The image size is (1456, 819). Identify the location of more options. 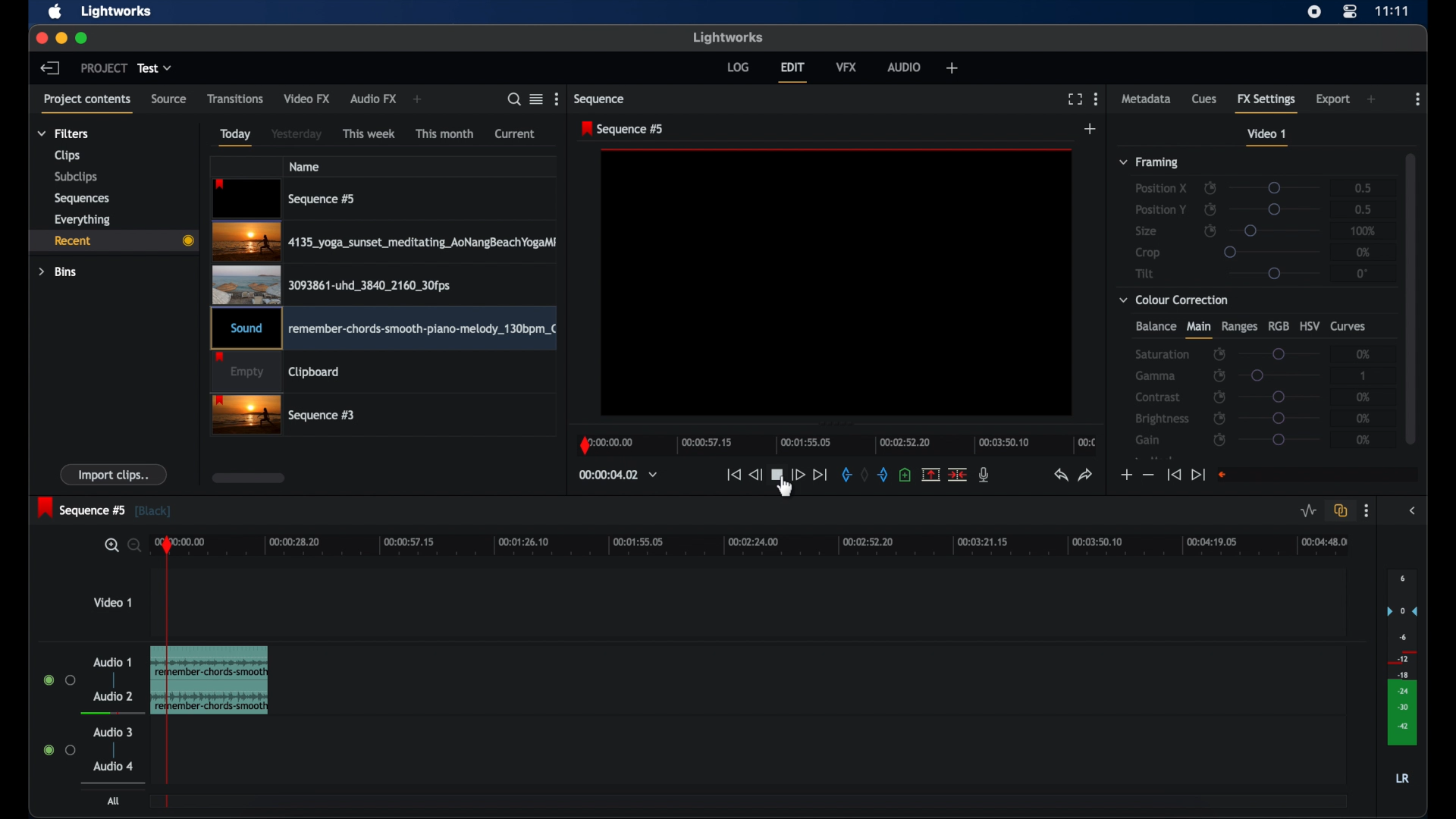
(1097, 99).